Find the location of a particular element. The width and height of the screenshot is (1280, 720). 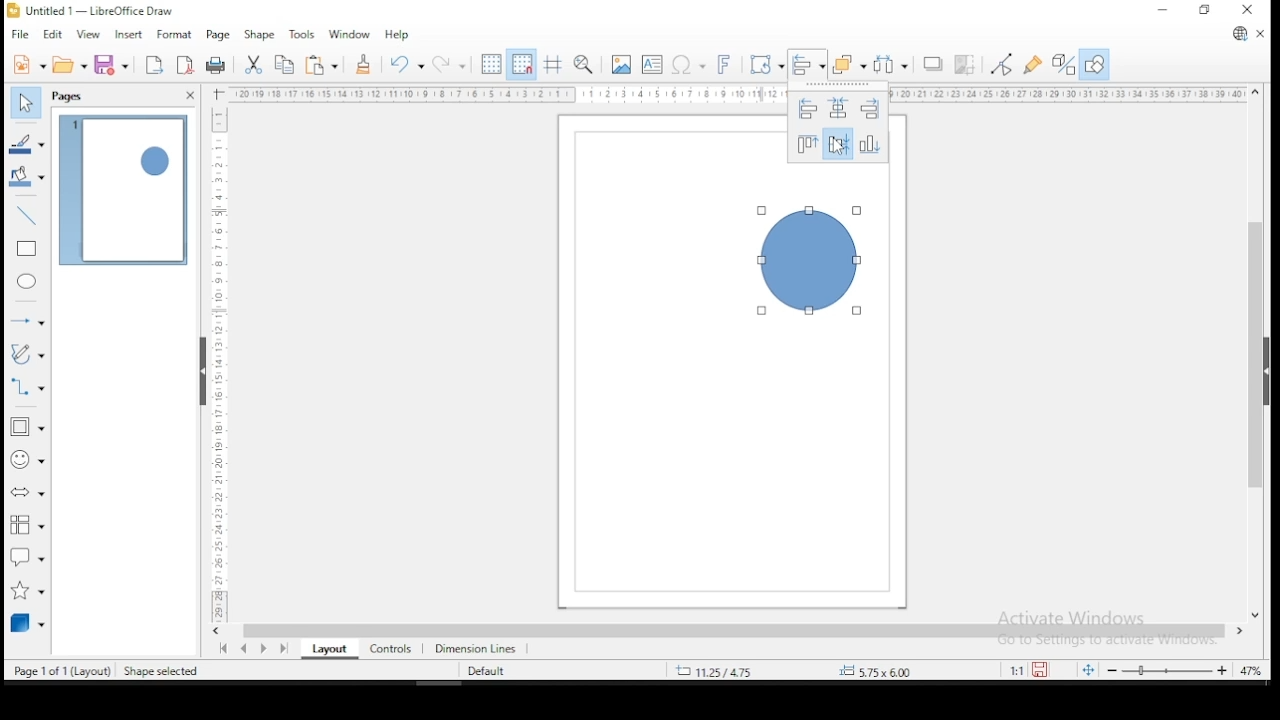

save is located at coordinates (1042, 670).